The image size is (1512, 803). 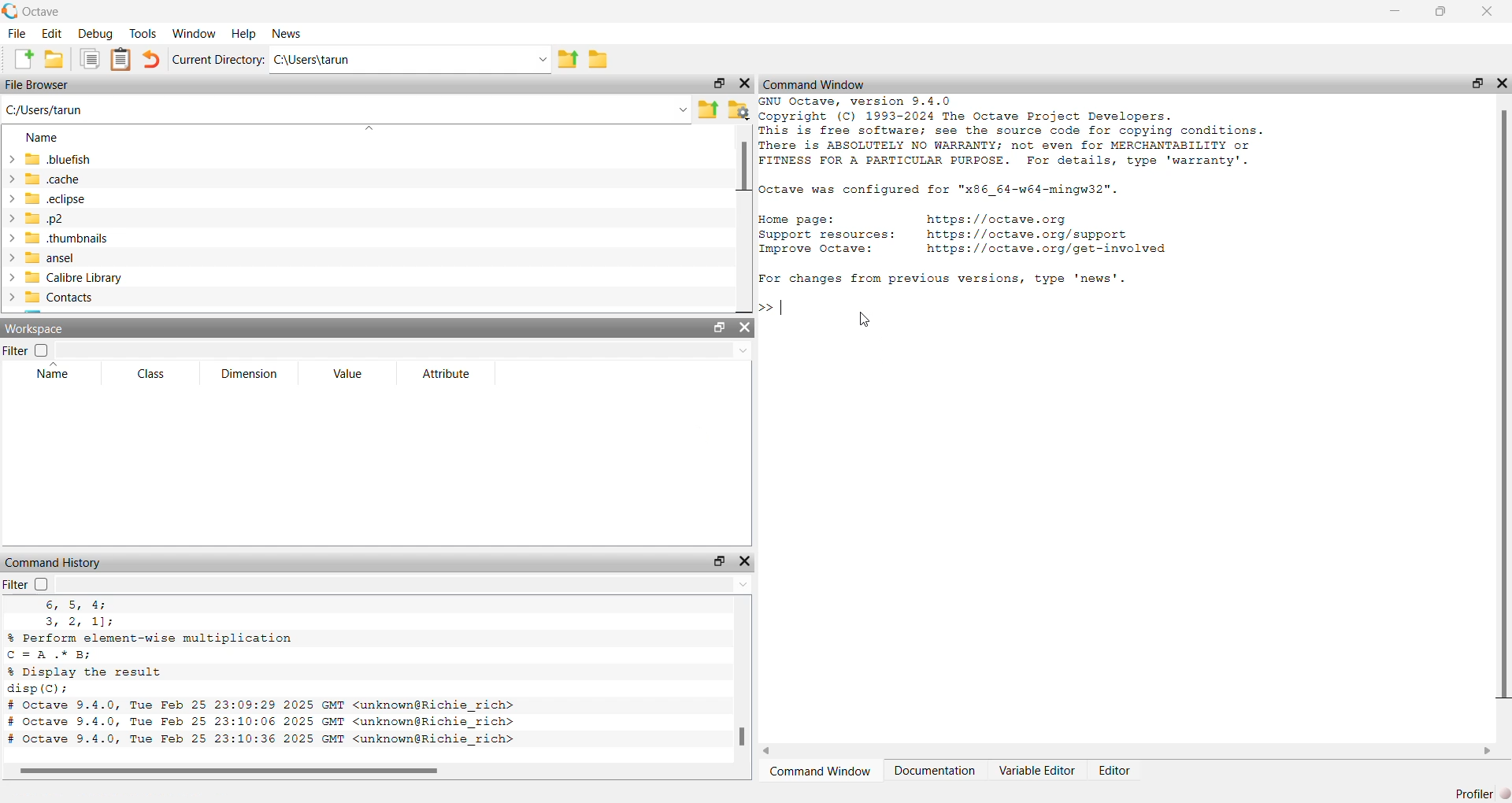 What do you see at coordinates (1126, 751) in the screenshot?
I see `Scroll` at bounding box center [1126, 751].